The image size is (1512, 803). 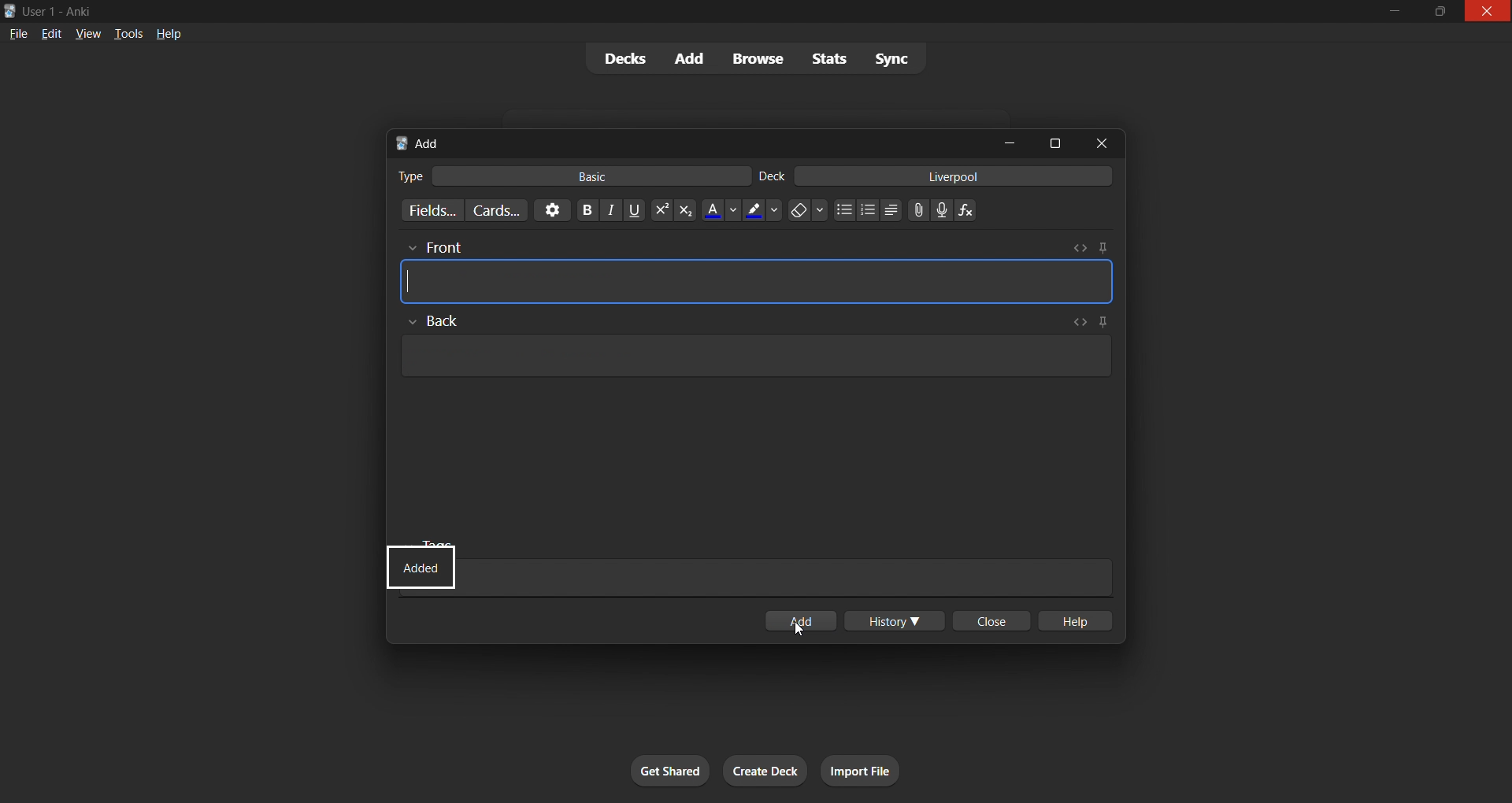 What do you see at coordinates (1052, 140) in the screenshot?
I see `maximize` at bounding box center [1052, 140].